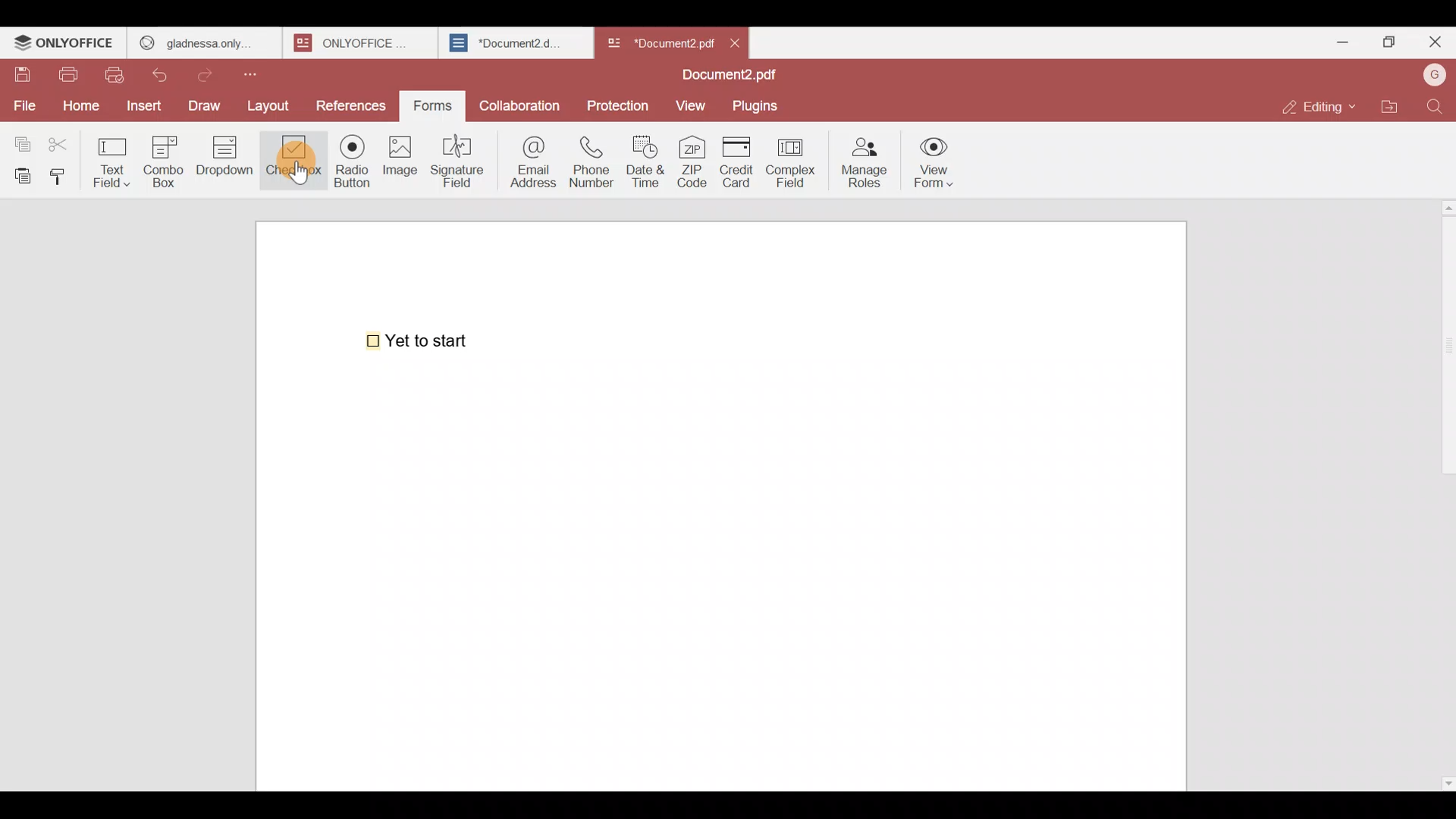 This screenshot has width=1456, height=819. Describe the element at coordinates (22, 75) in the screenshot. I see `Save` at that location.